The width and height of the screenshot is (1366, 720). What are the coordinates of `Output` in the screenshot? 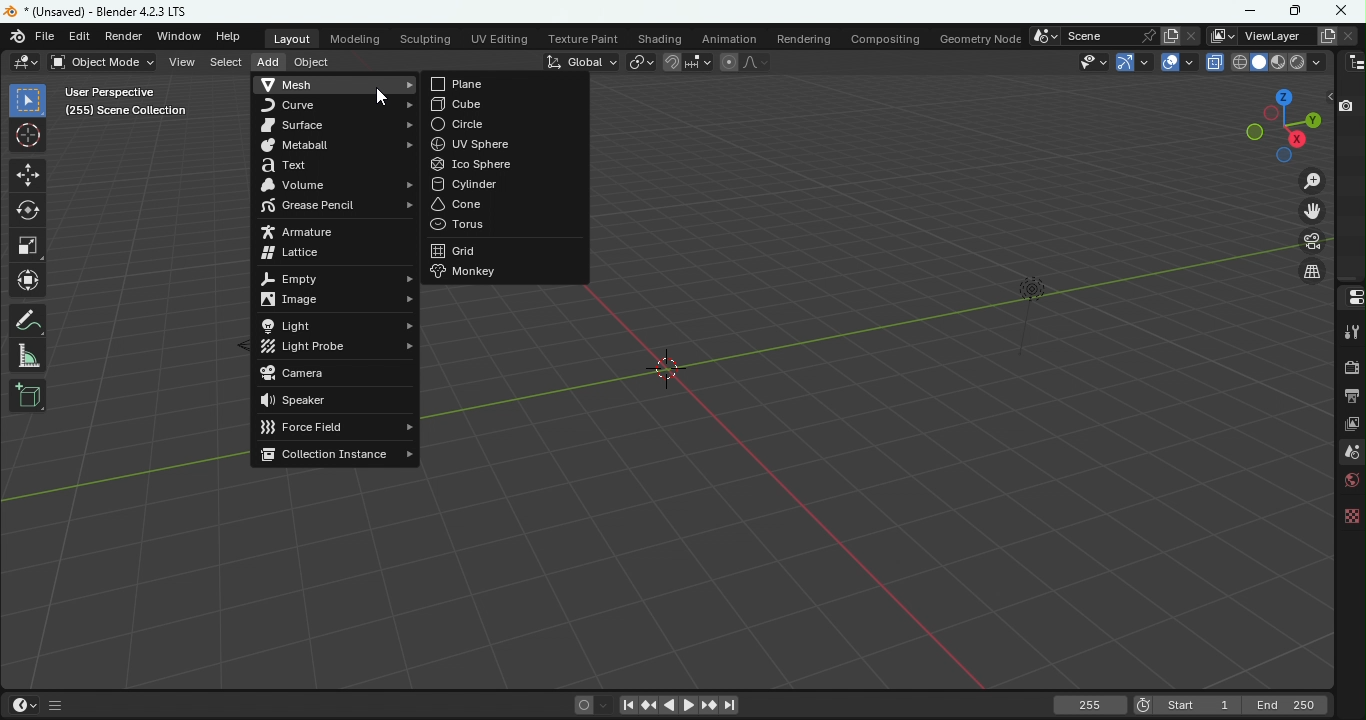 It's located at (1349, 398).